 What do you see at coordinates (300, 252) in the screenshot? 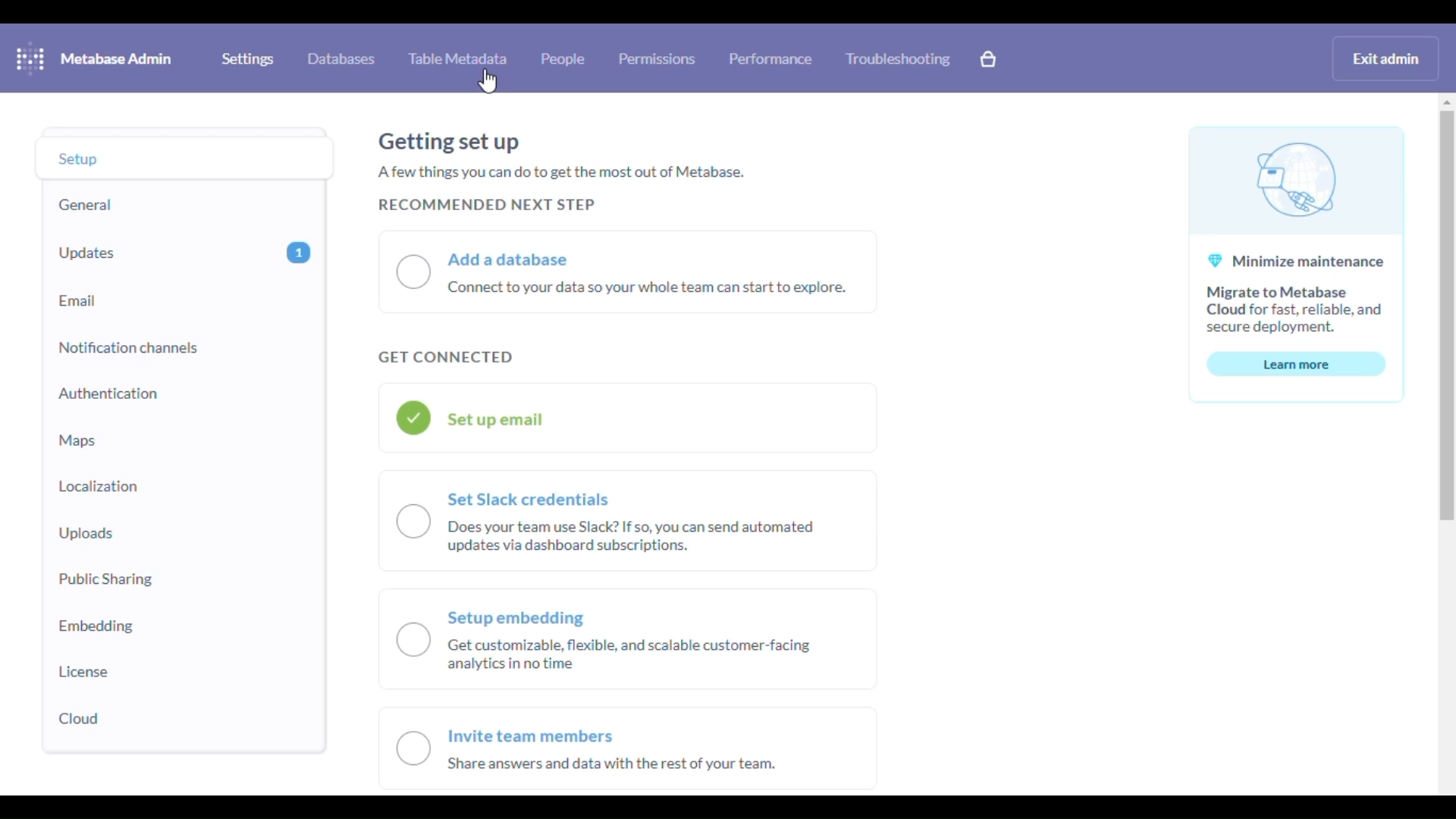
I see `1` at bounding box center [300, 252].